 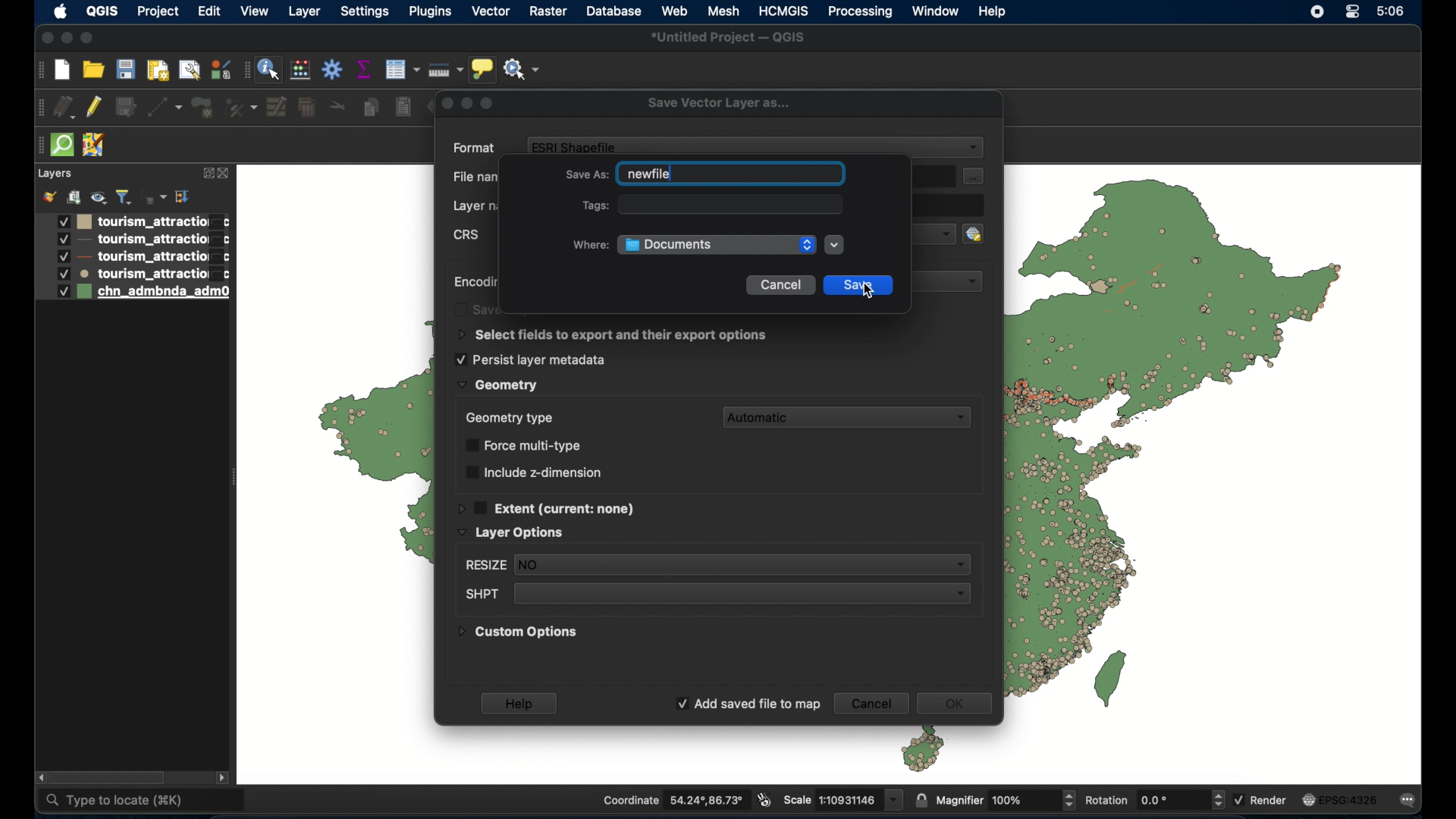 What do you see at coordinates (98, 197) in the screenshot?
I see `manage map theme` at bounding box center [98, 197].